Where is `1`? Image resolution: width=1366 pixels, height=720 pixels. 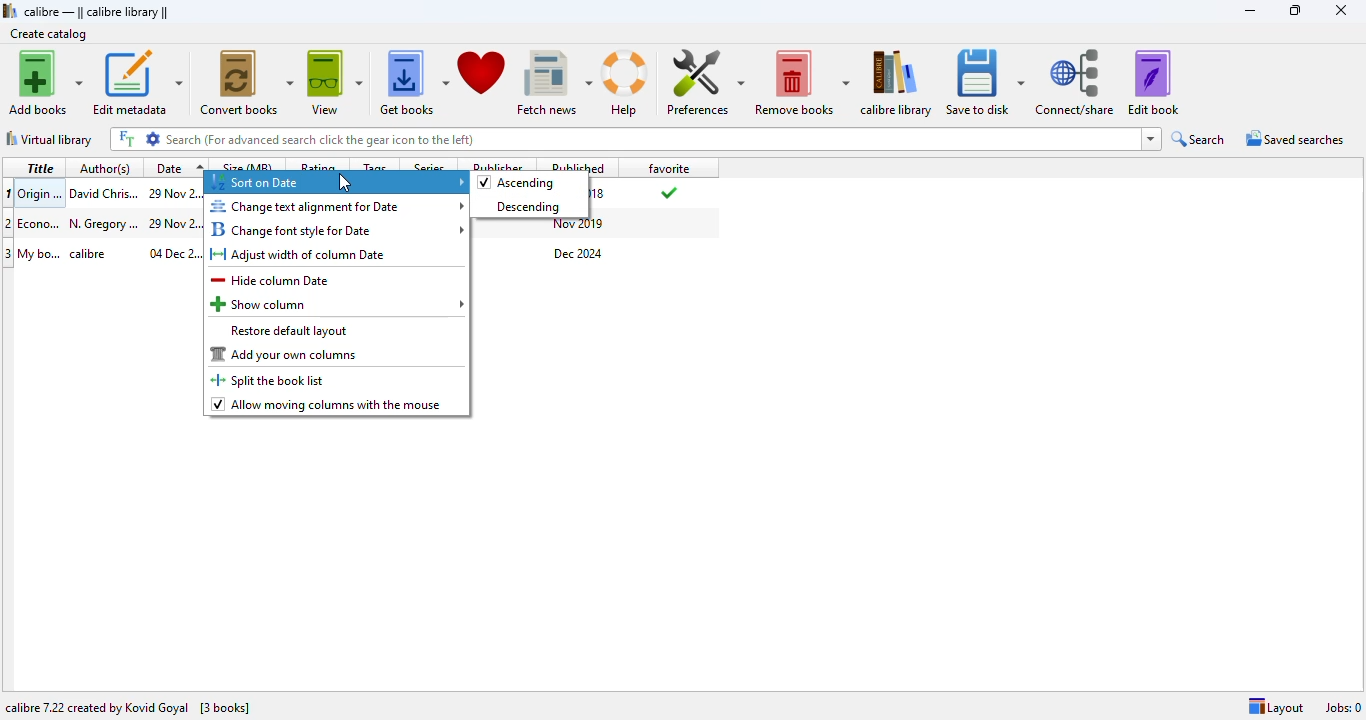
1 is located at coordinates (9, 192).